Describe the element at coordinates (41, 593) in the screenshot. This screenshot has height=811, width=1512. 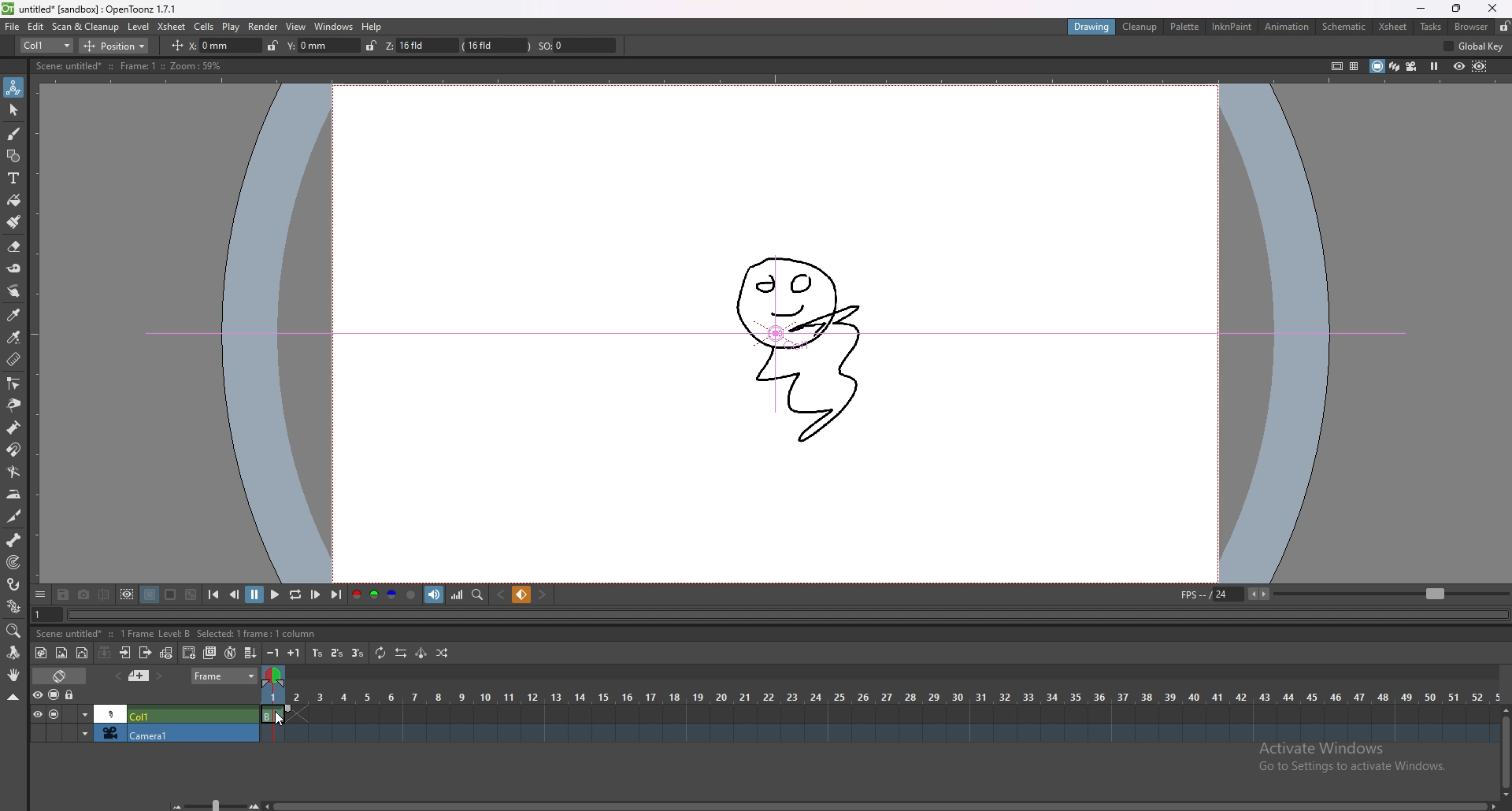
I see `options` at that location.